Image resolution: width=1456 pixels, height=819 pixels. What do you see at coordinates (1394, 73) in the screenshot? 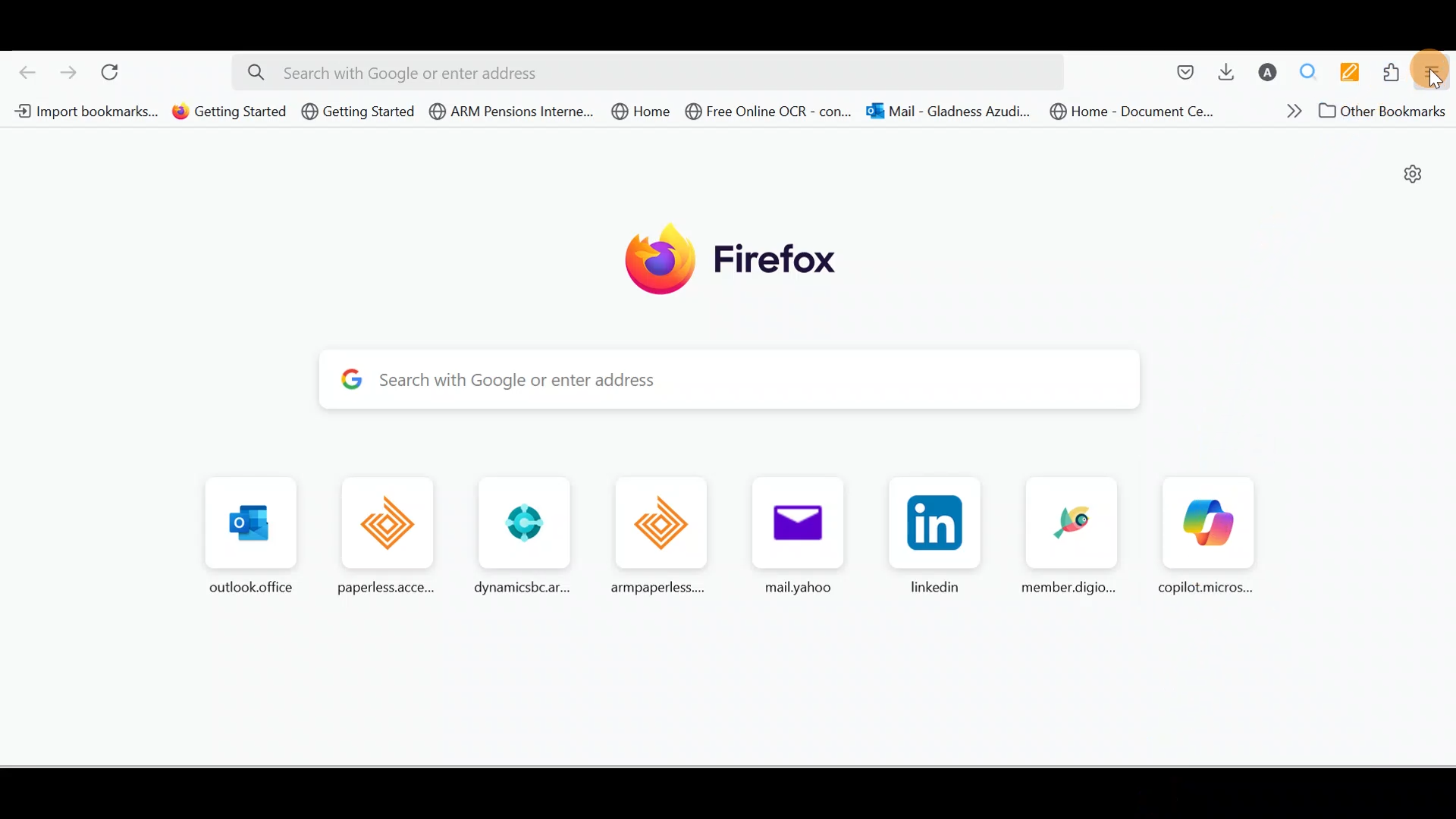
I see `Extensions` at bounding box center [1394, 73].